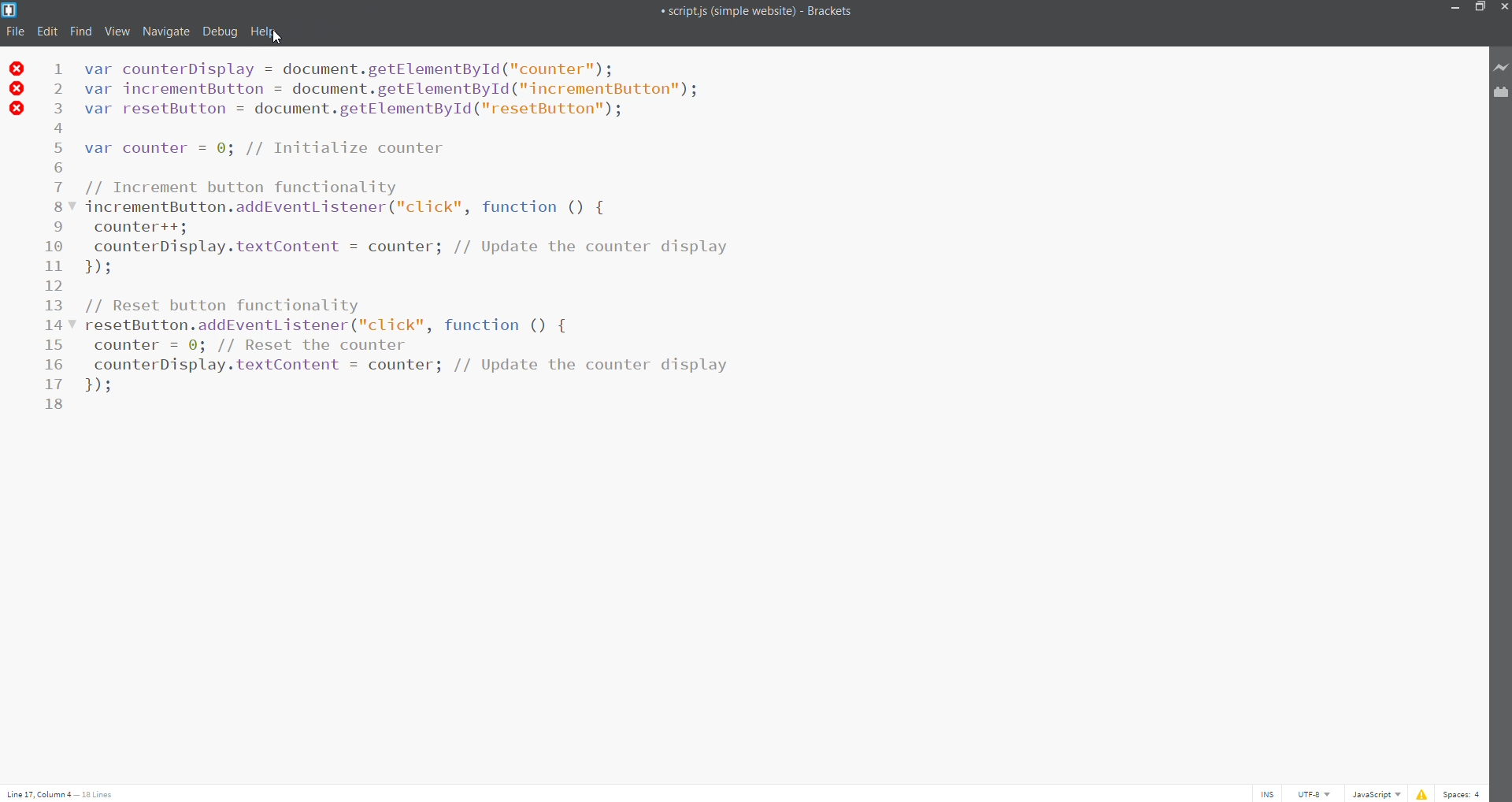 This screenshot has width=1512, height=802. What do you see at coordinates (1265, 793) in the screenshot?
I see `cursor toggle` at bounding box center [1265, 793].